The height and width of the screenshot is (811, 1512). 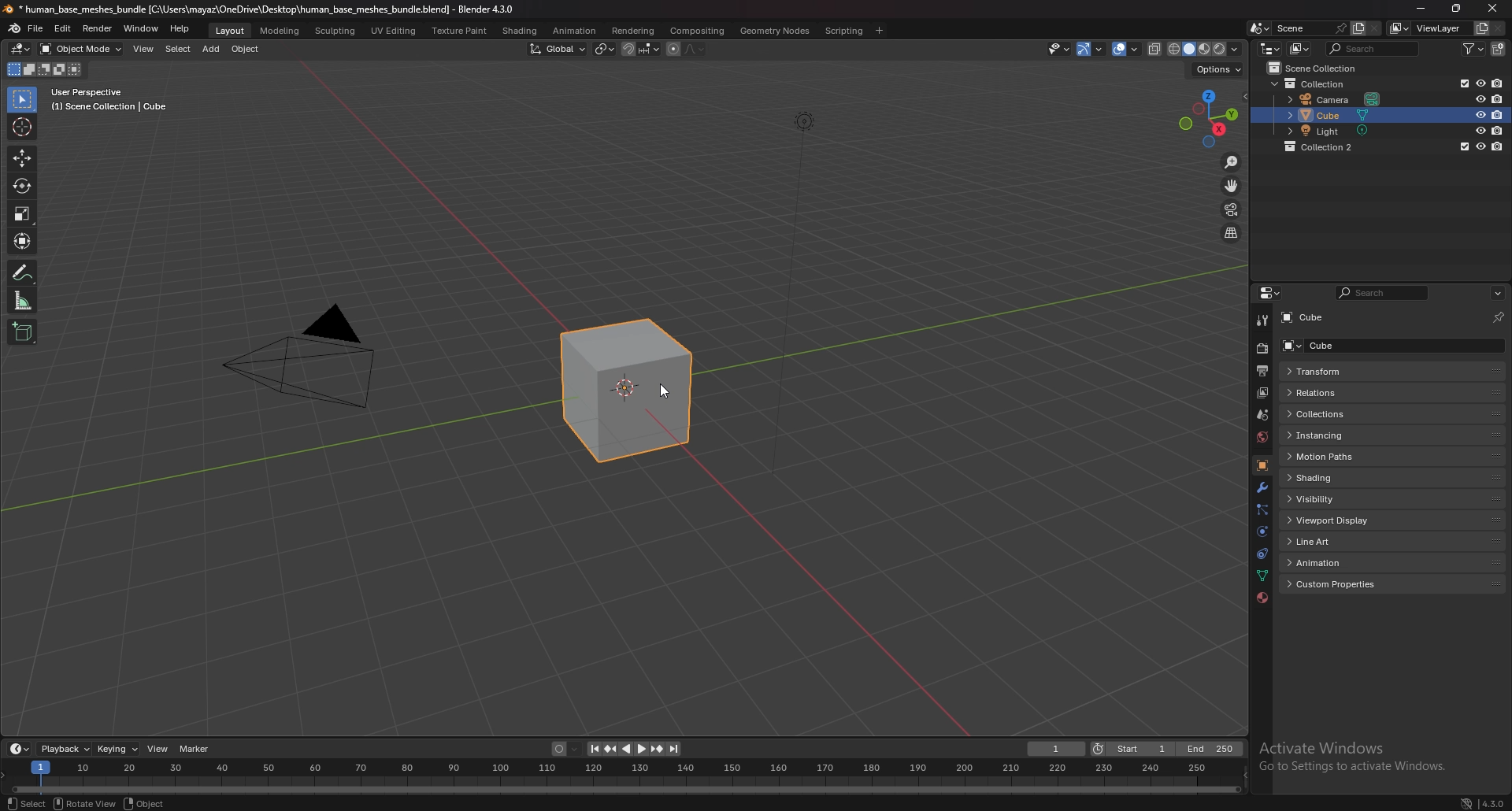 I want to click on material, so click(x=1262, y=597).